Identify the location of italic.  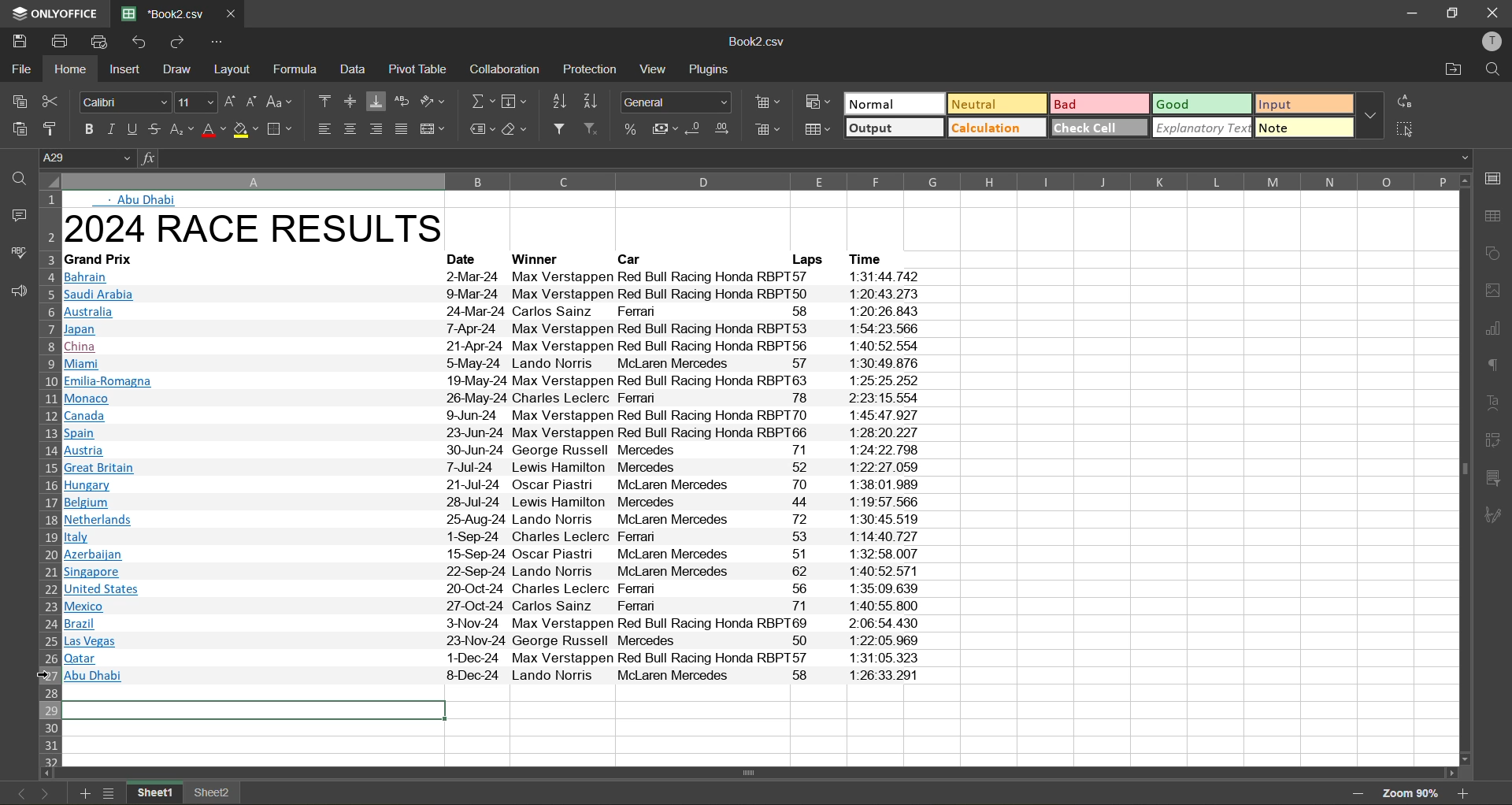
(110, 128).